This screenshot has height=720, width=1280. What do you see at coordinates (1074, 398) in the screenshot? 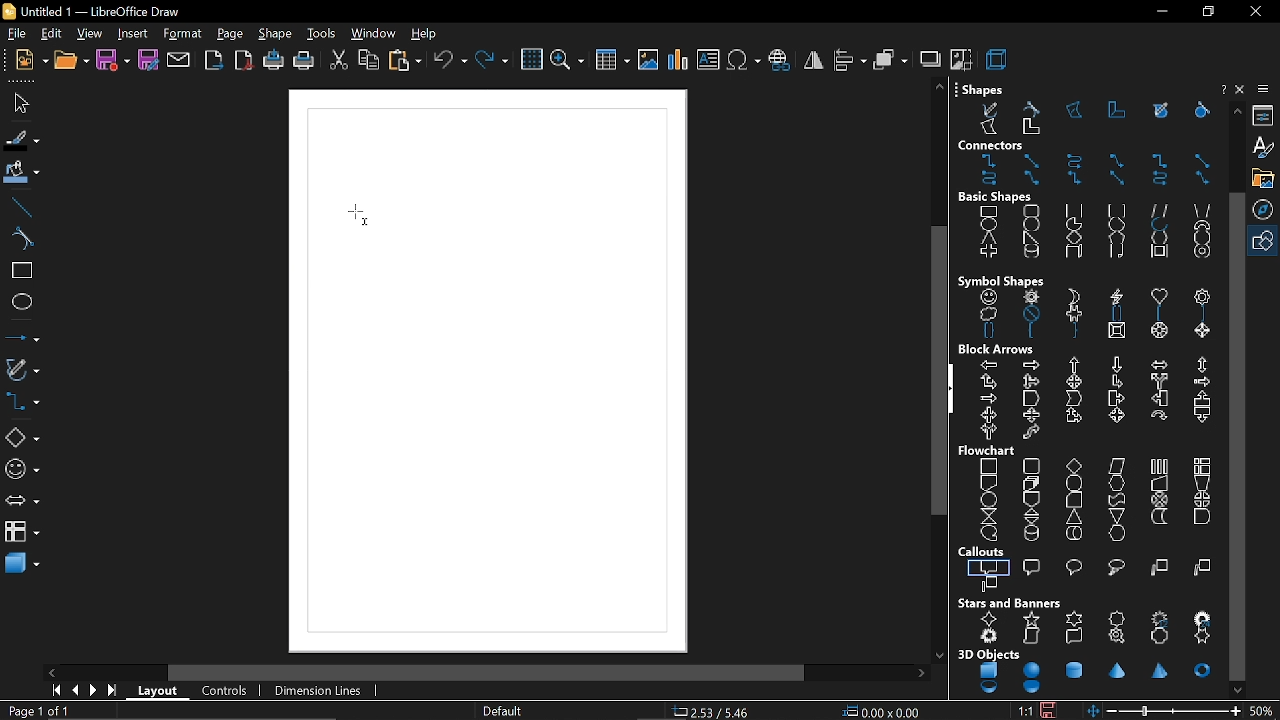
I see `chevron` at bounding box center [1074, 398].